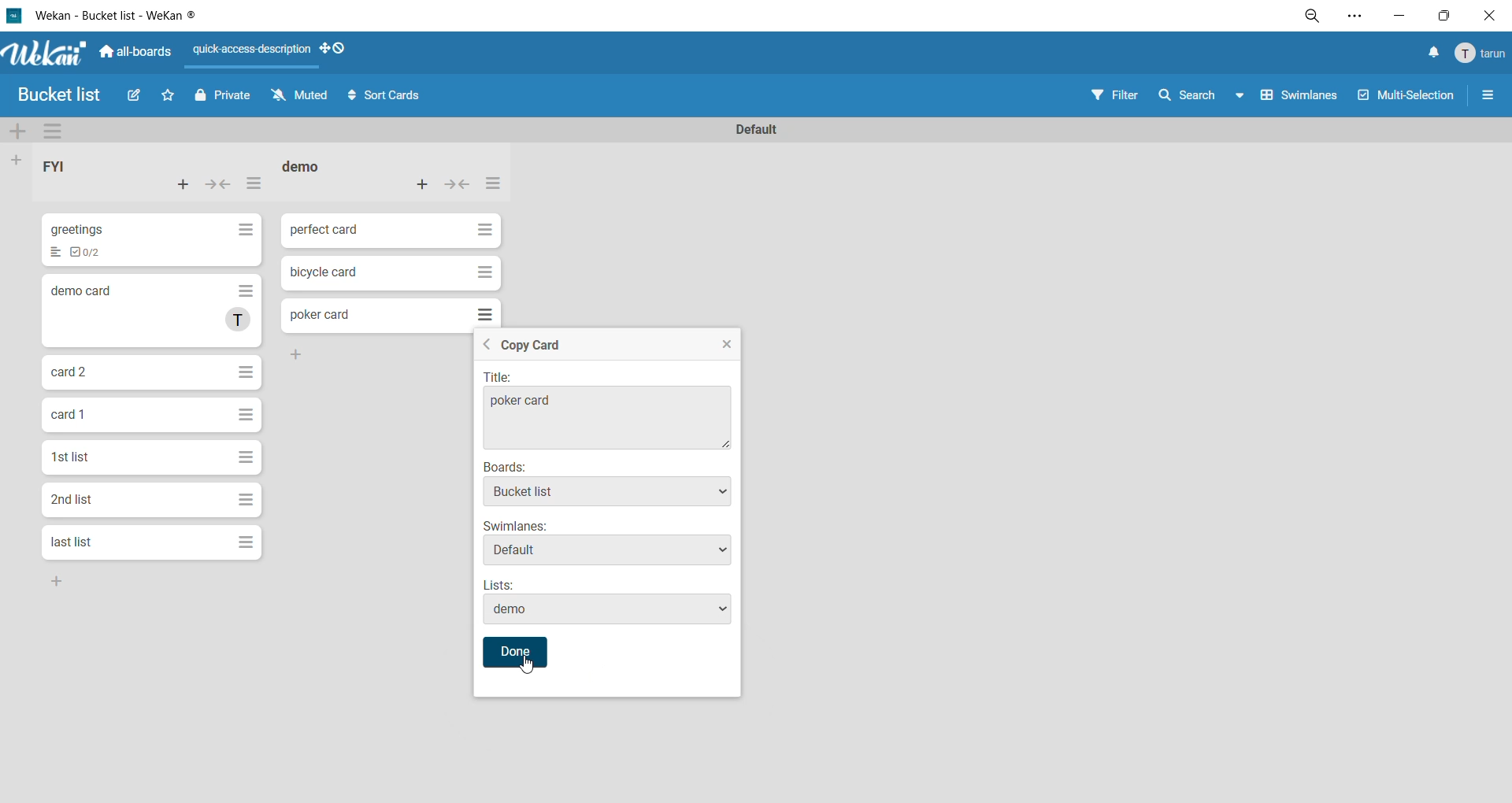 The height and width of the screenshot is (803, 1512). Describe the element at coordinates (1442, 16) in the screenshot. I see `maximize` at that location.